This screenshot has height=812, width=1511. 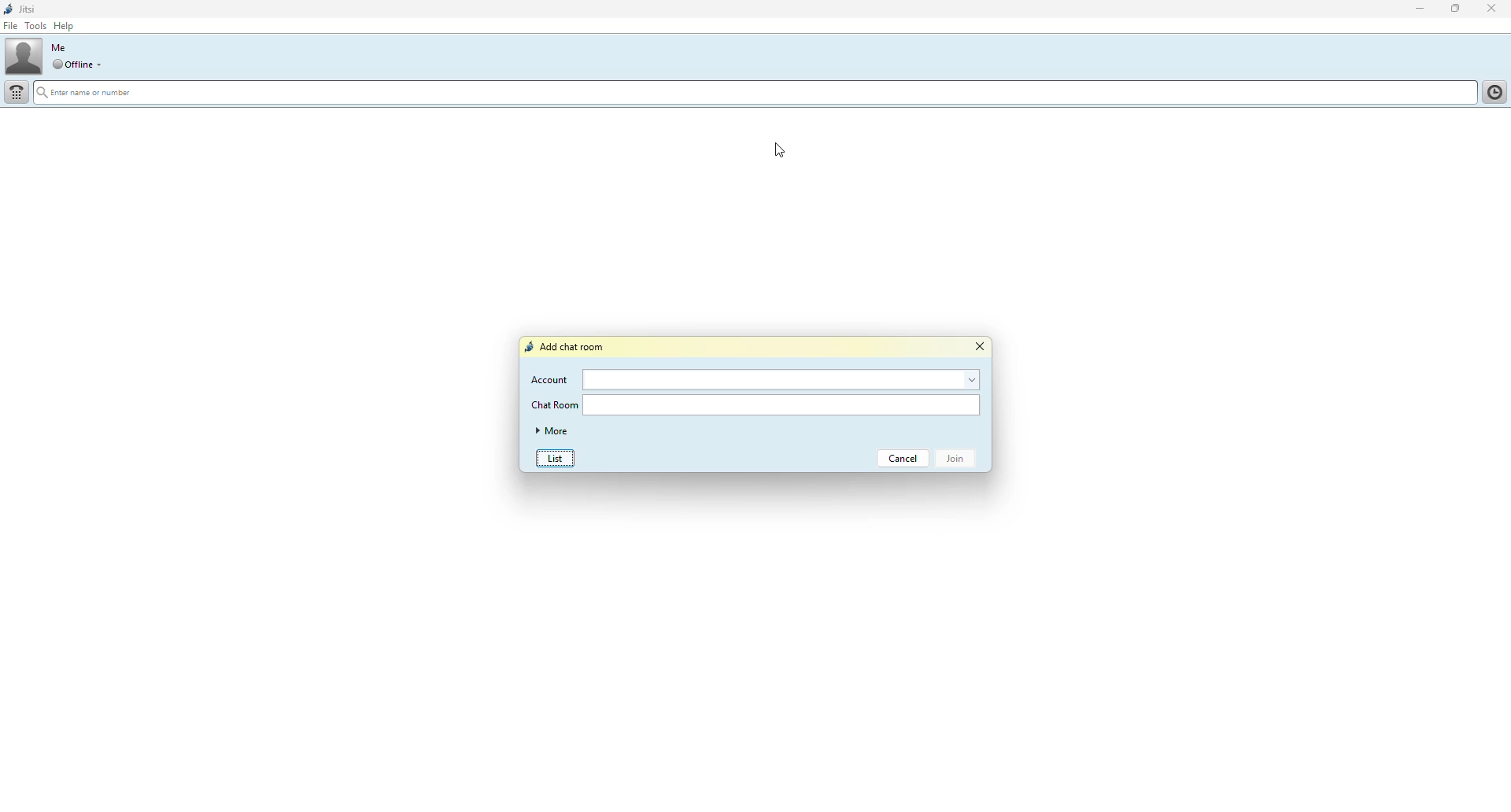 I want to click on enter name or number, so click(x=106, y=93).